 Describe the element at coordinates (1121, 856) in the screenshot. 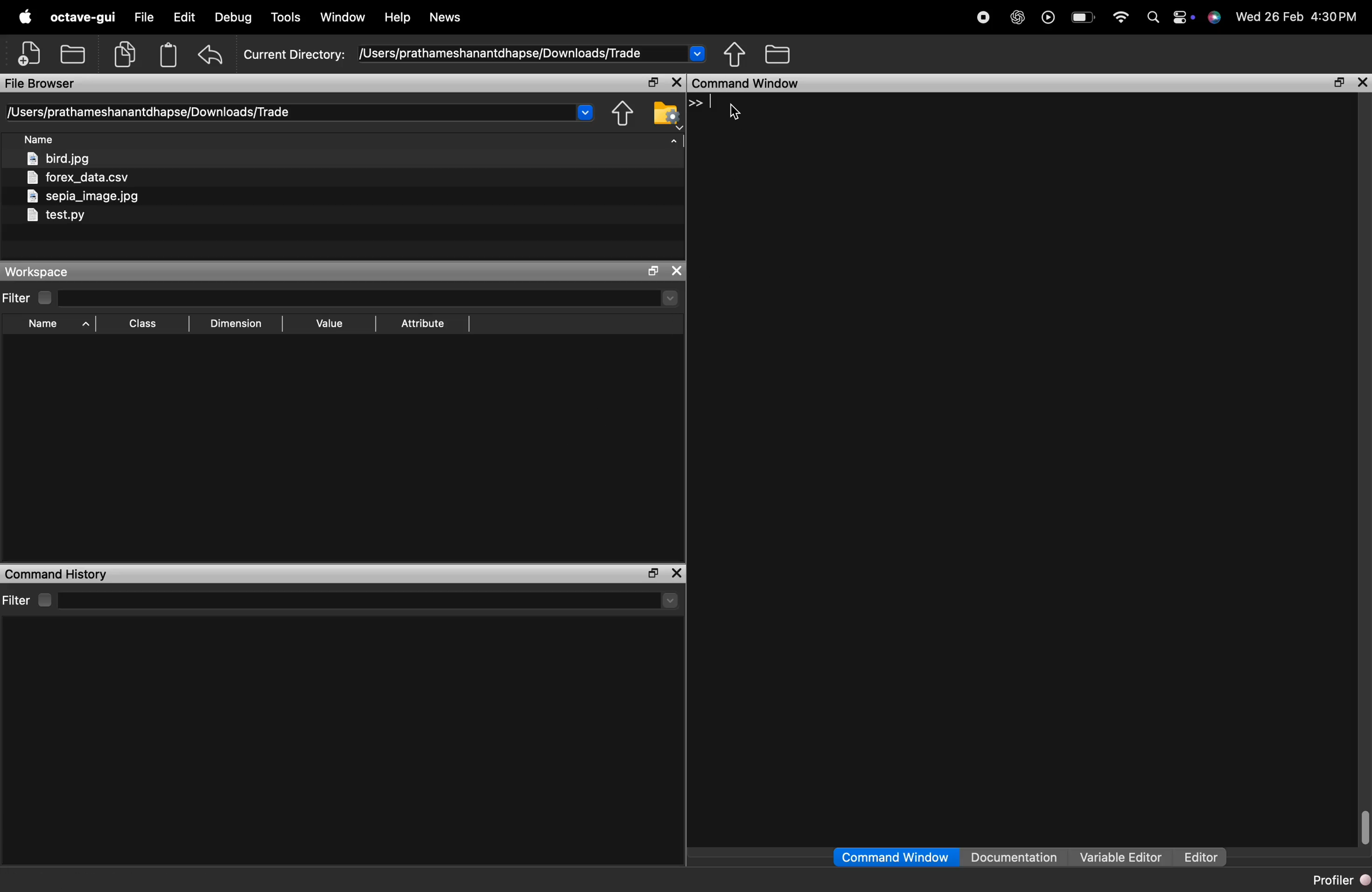

I see `Variable Editor` at that location.